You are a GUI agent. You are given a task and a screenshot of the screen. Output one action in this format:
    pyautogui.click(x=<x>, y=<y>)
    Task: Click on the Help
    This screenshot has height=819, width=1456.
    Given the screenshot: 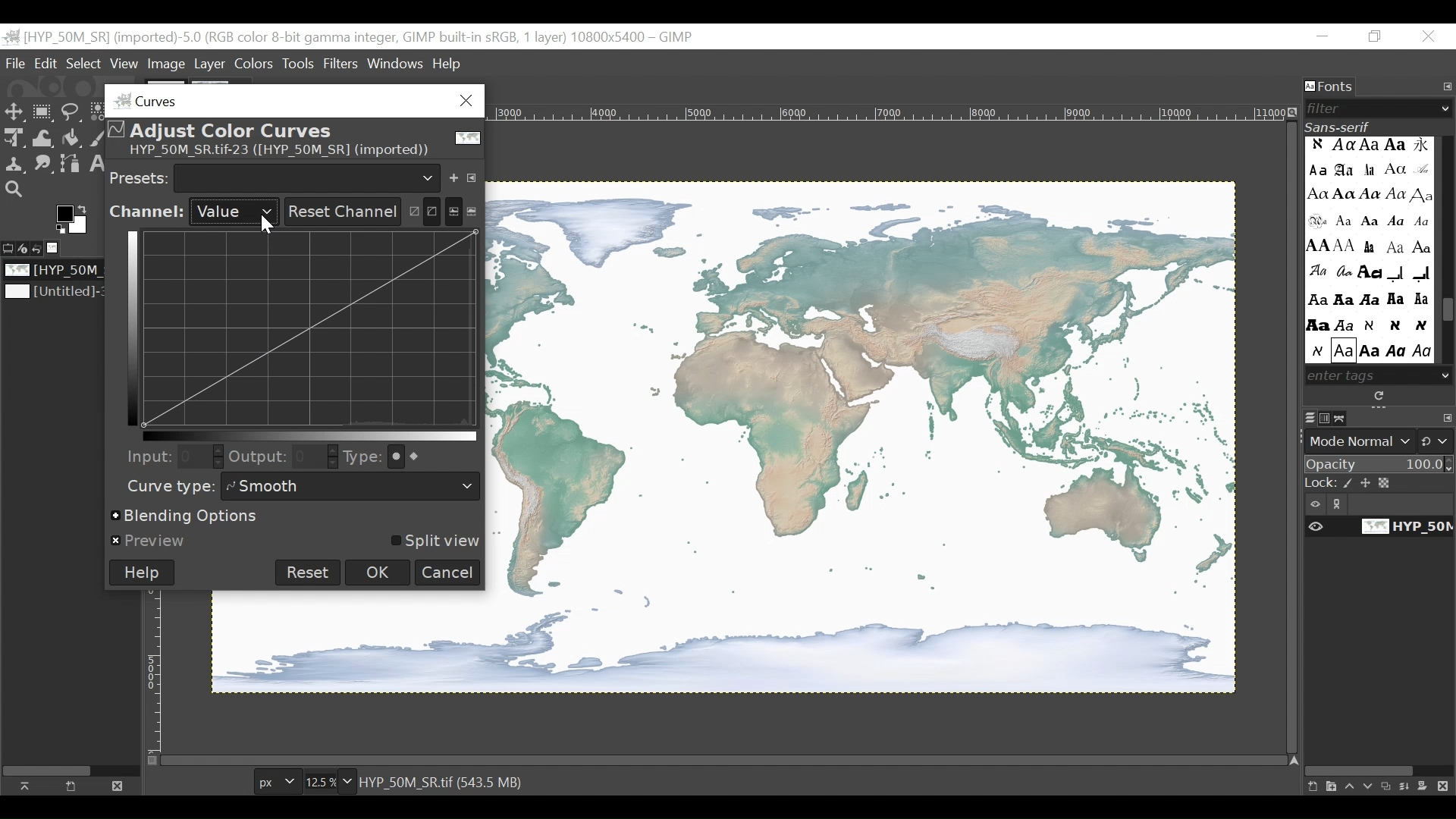 What is the action you would take?
    pyautogui.click(x=447, y=65)
    